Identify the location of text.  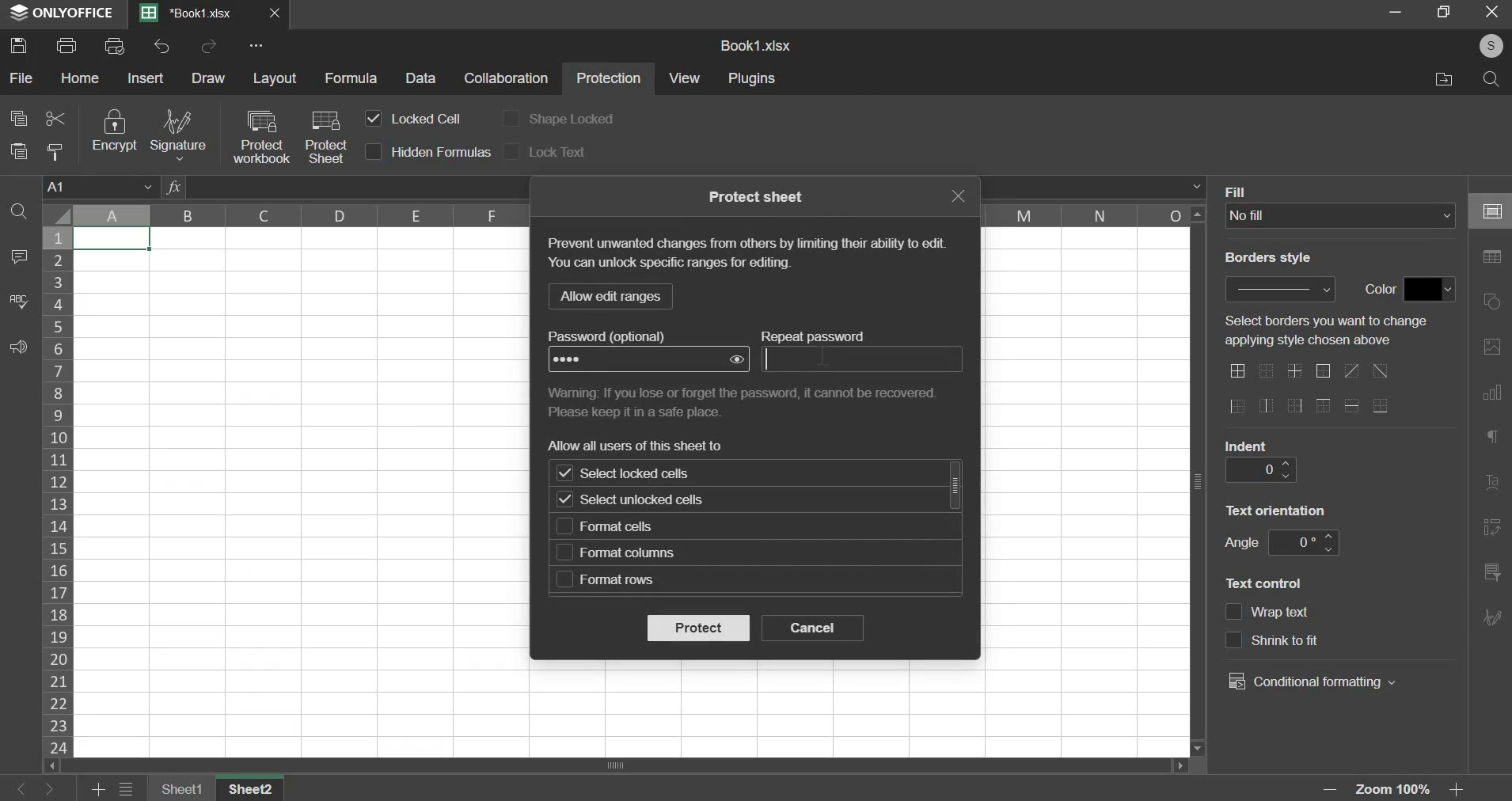
(817, 336).